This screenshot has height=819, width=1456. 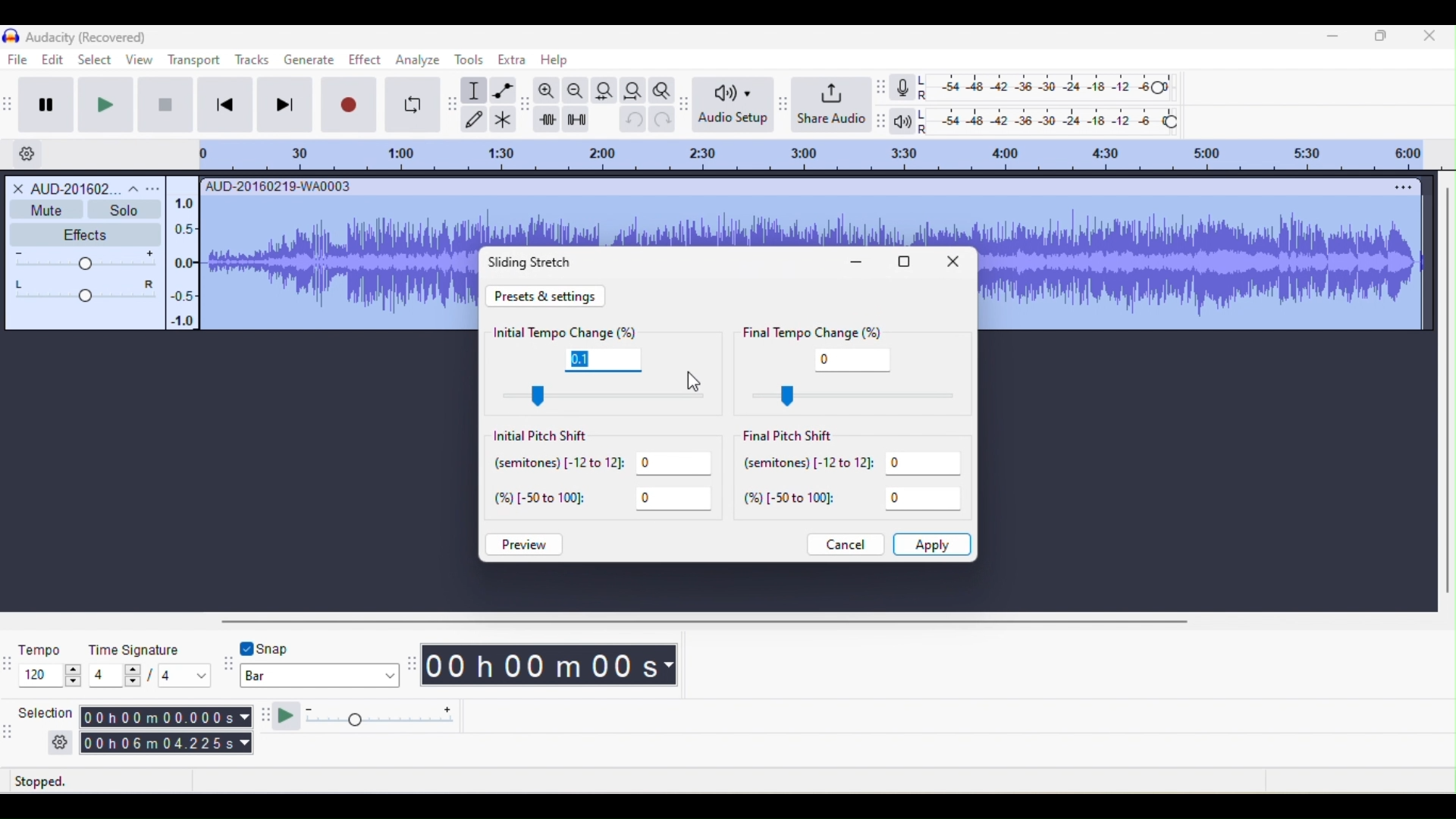 What do you see at coordinates (567, 331) in the screenshot?
I see `initial tempo change` at bounding box center [567, 331].